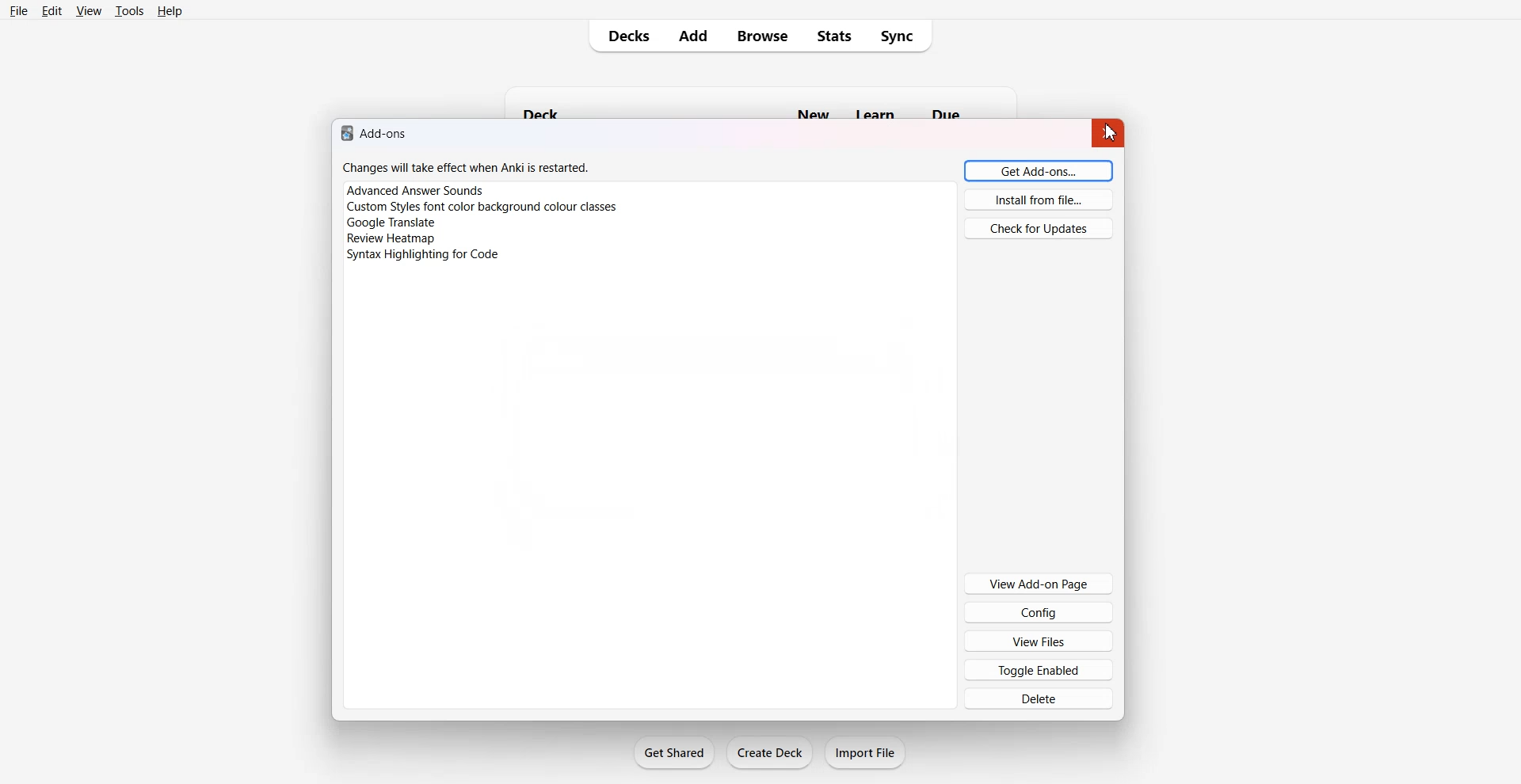 The image size is (1521, 784). Describe the element at coordinates (170, 11) in the screenshot. I see `Help` at that location.